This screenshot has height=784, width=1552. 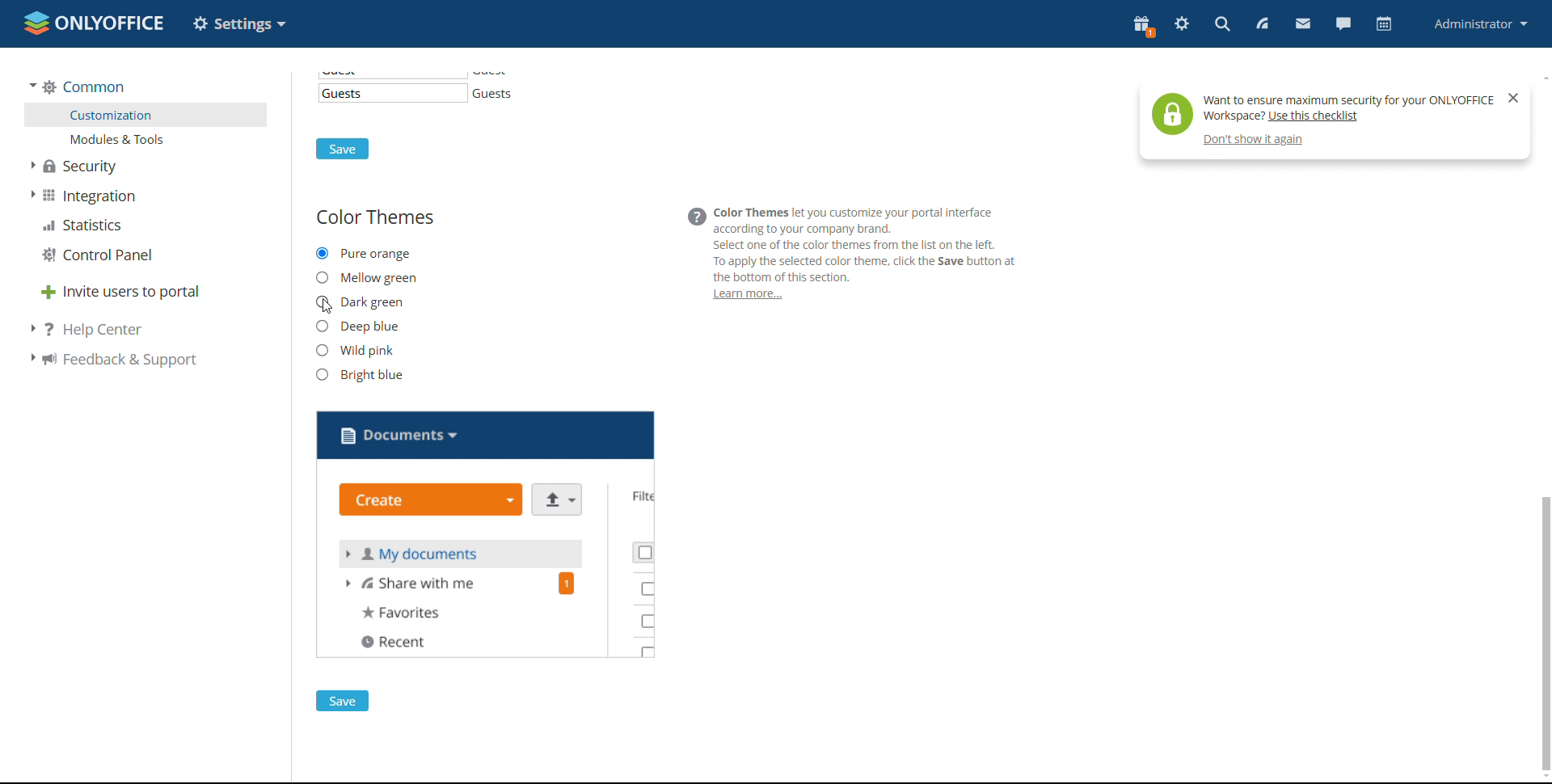 What do you see at coordinates (82, 196) in the screenshot?
I see `integration` at bounding box center [82, 196].